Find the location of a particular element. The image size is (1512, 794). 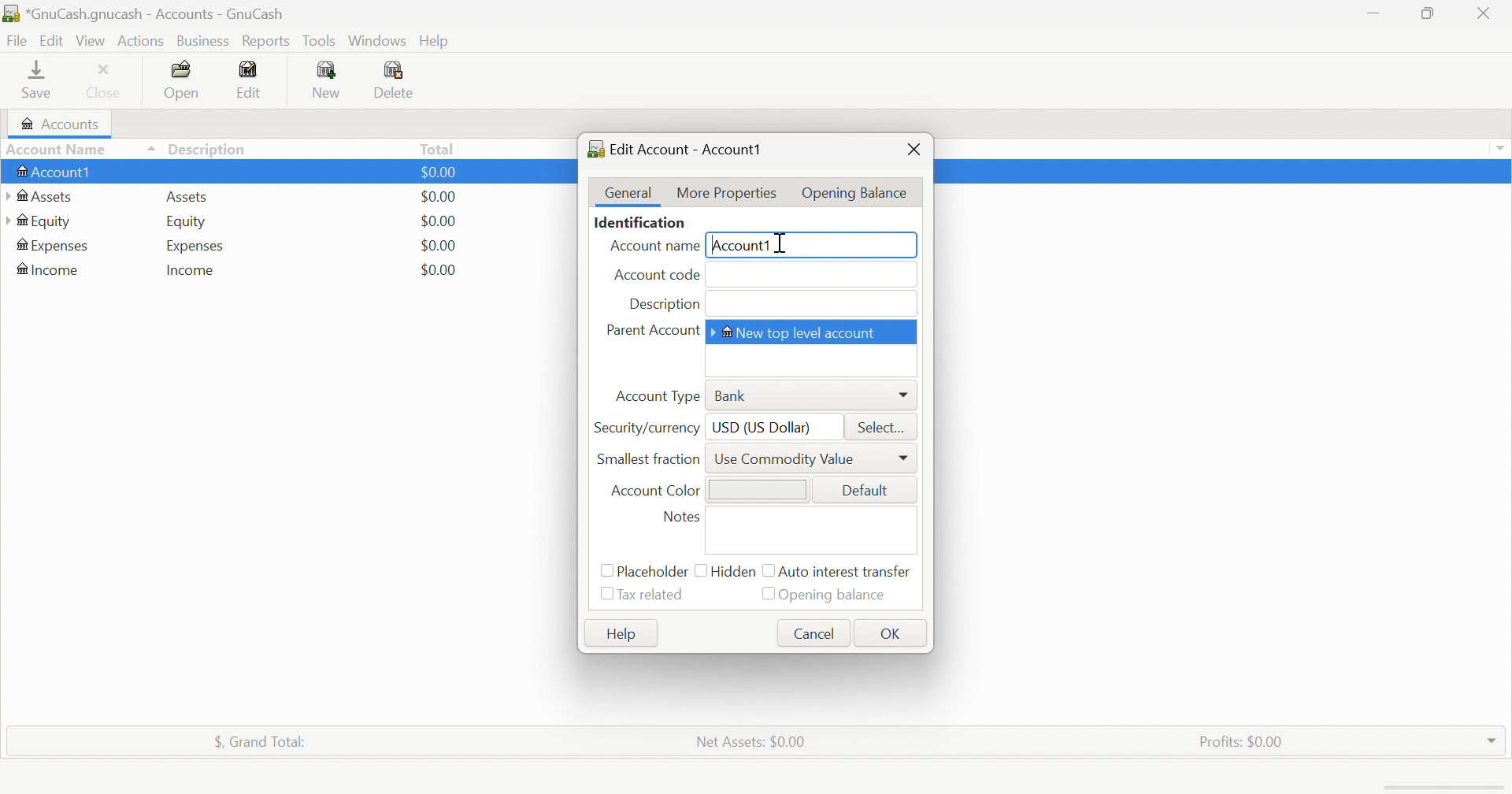

Equity is located at coordinates (187, 224).